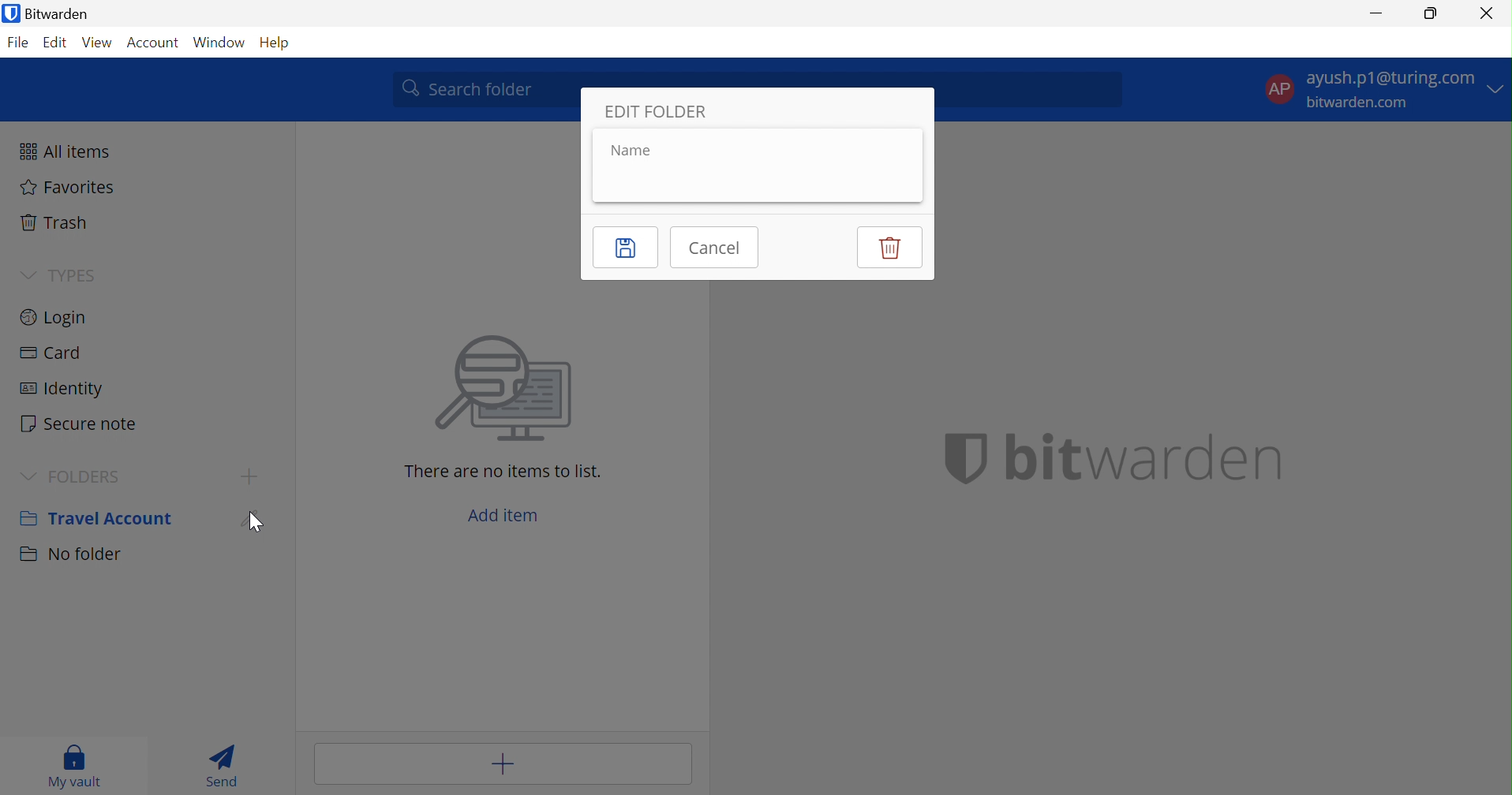 This screenshot has width=1512, height=795. Describe the element at coordinates (21, 42) in the screenshot. I see `File` at that location.